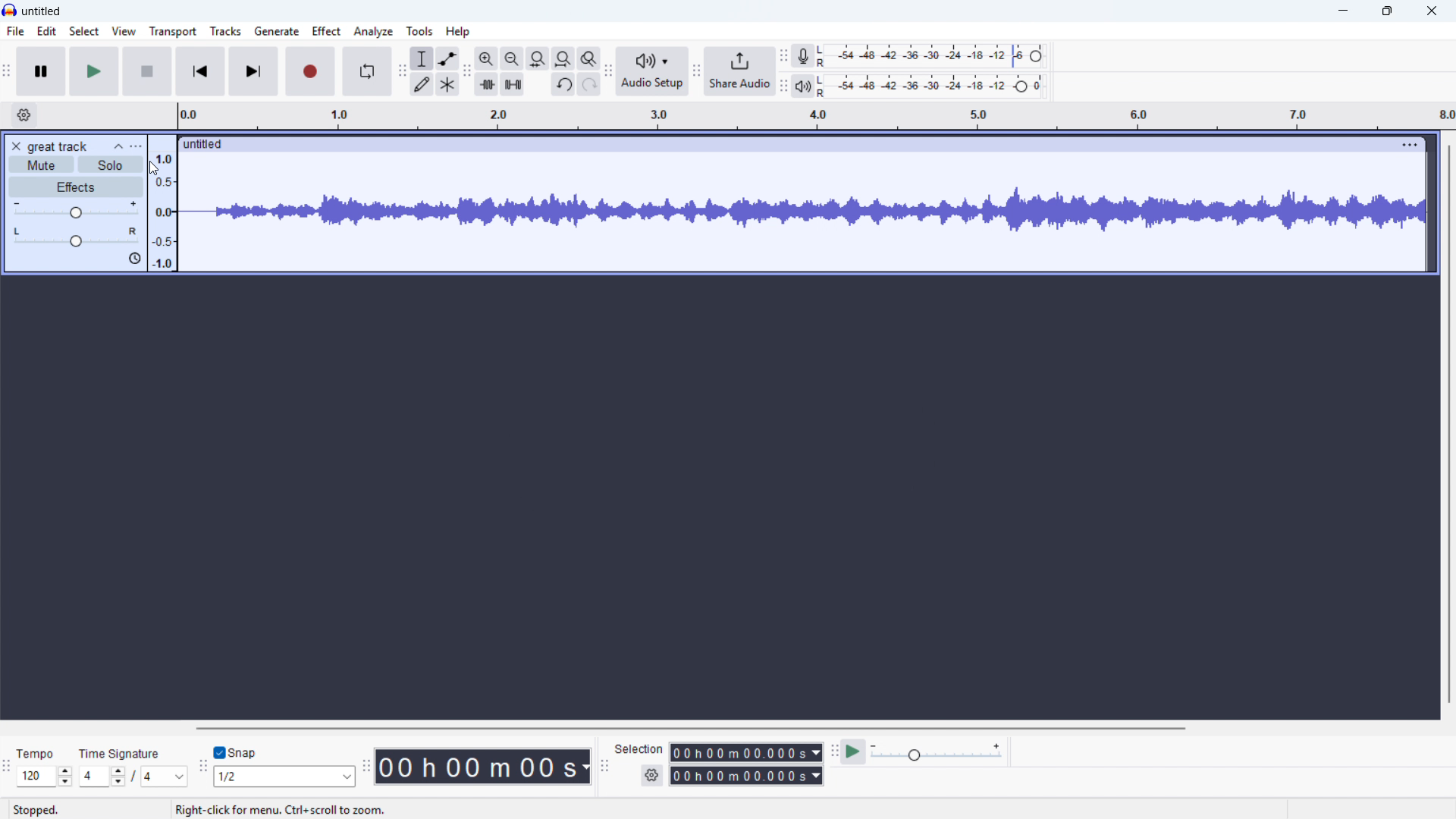 Image resolution: width=1456 pixels, height=819 pixels. Describe the element at coordinates (8, 767) in the screenshot. I see `Time signature toolbar ` at that location.